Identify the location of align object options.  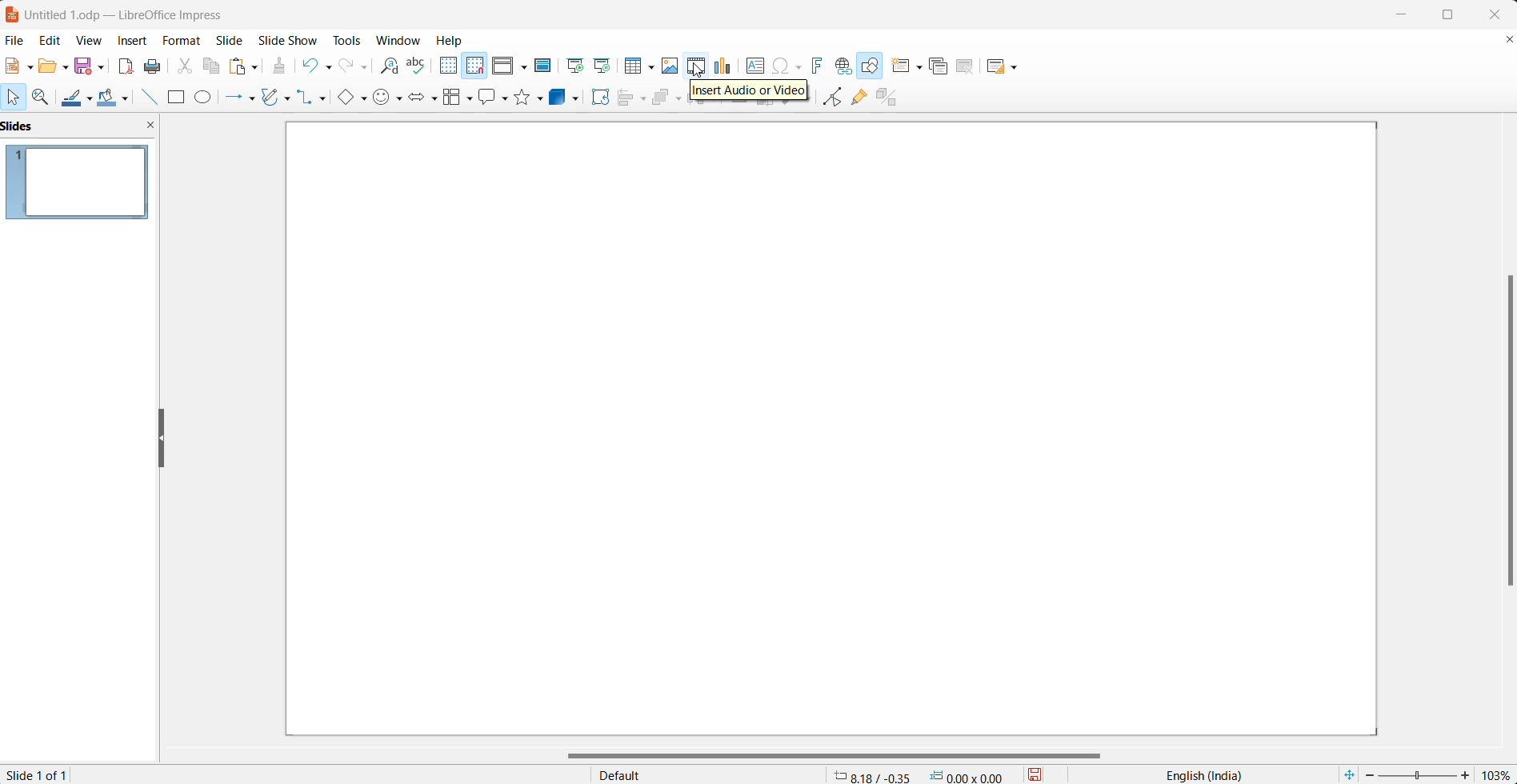
(643, 101).